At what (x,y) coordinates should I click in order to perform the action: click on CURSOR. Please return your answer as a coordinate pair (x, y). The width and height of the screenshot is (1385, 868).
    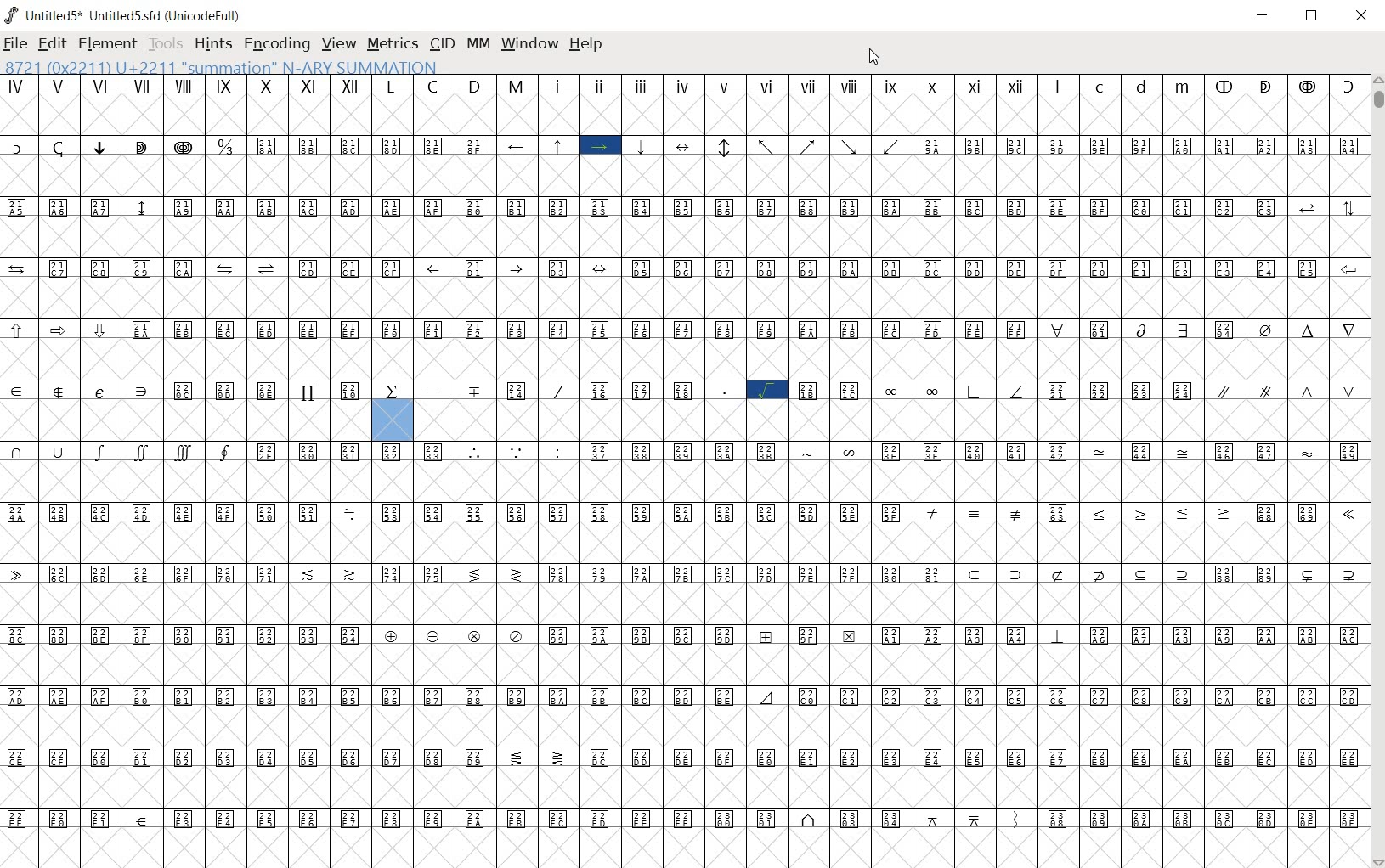
    Looking at the image, I should click on (875, 57).